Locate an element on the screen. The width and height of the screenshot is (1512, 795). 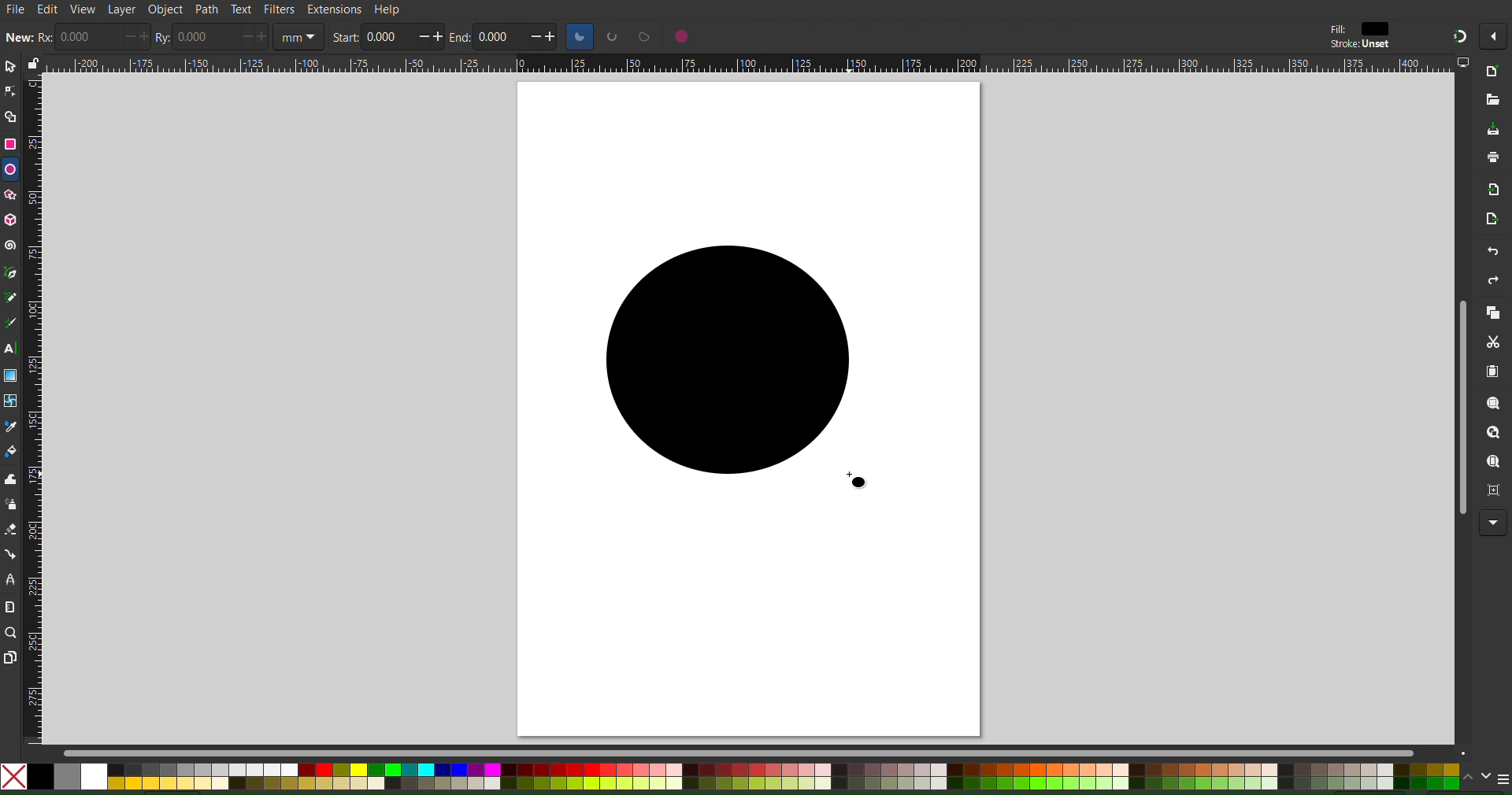
Open is located at coordinates (1490, 100).